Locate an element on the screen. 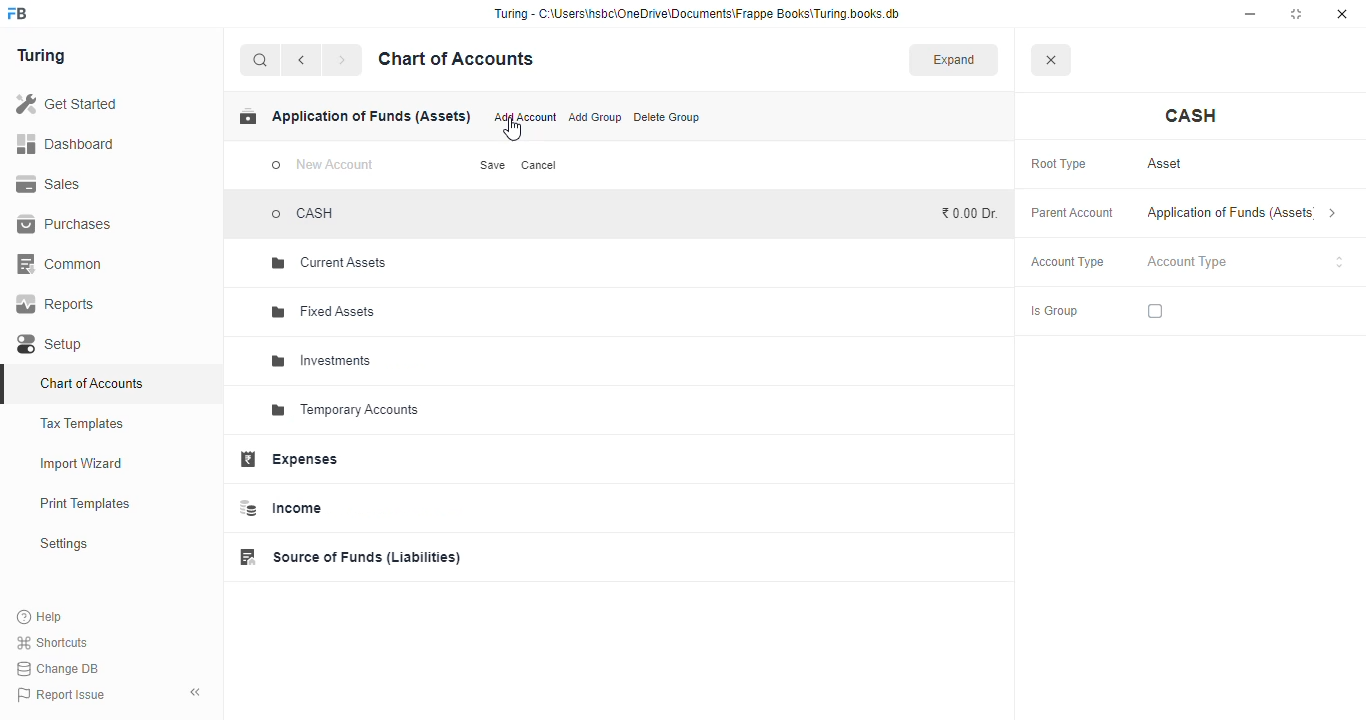 This screenshot has height=720, width=1366. save is located at coordinates (493, 165).